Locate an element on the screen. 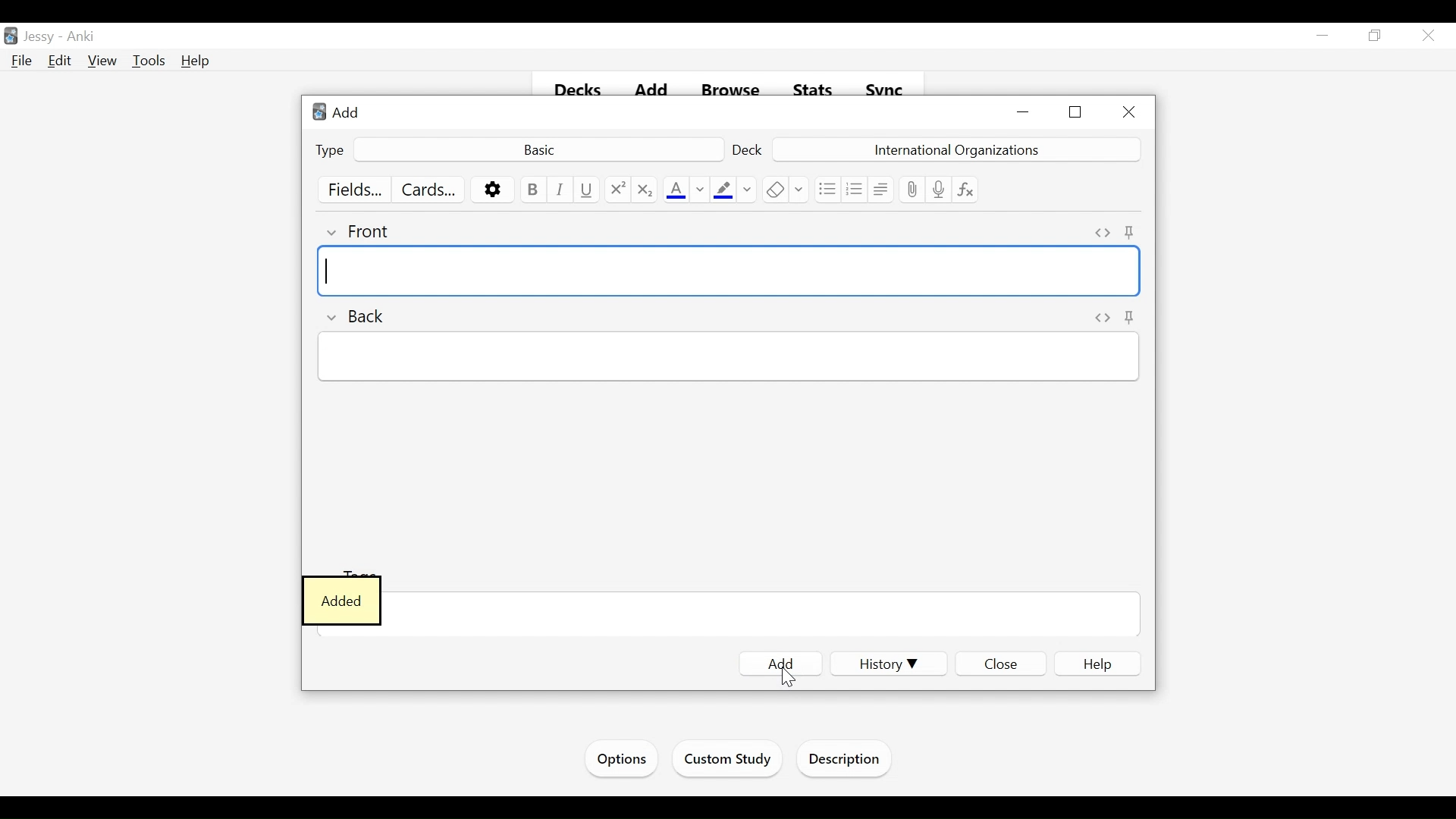  Svnc is located at coordinates (880, 86).